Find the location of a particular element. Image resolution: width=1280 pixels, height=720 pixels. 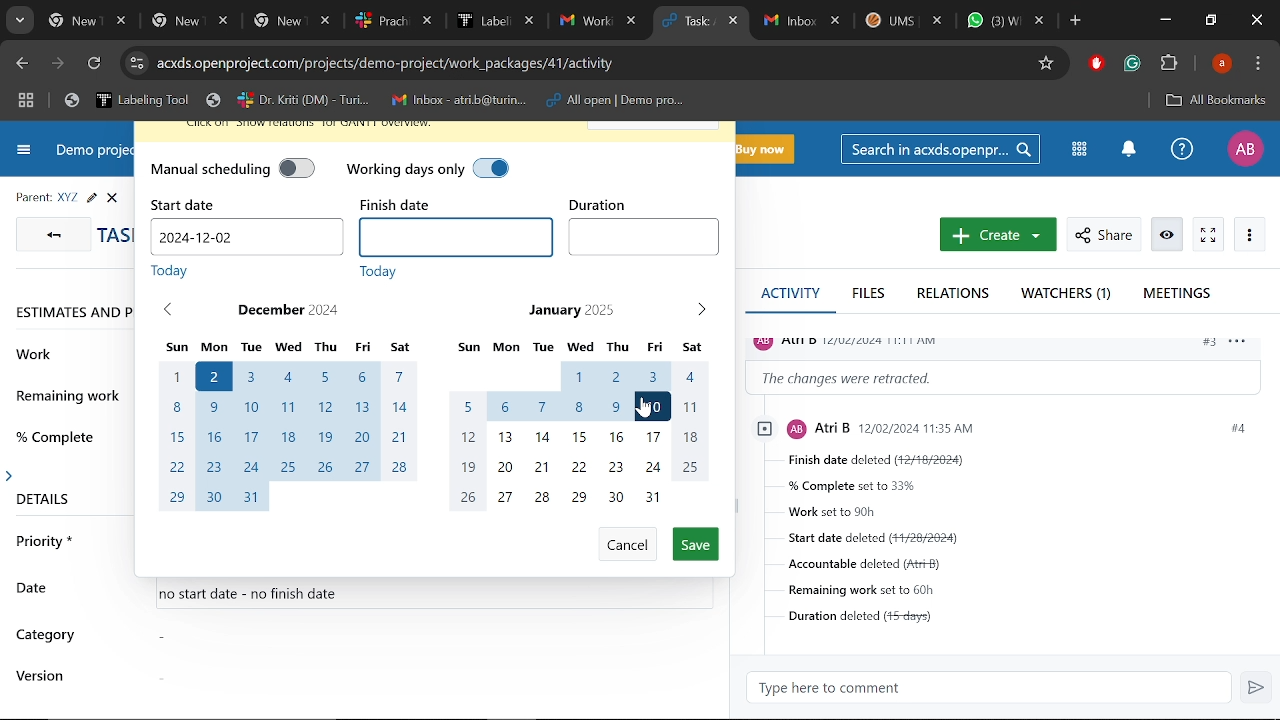

Finish date is located at coordinates (455, 237).